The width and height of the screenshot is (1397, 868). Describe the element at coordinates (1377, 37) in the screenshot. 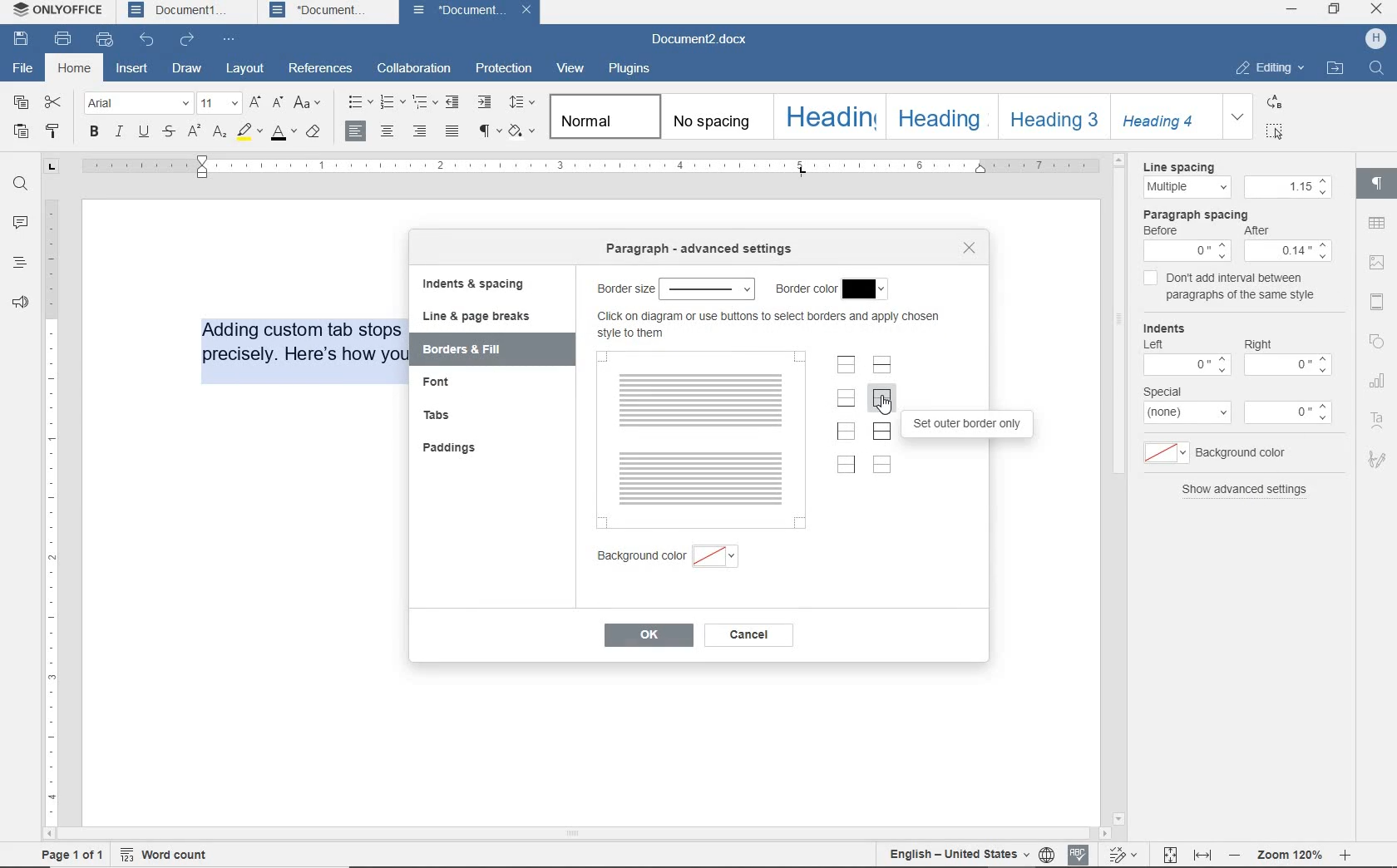

I see `profile` at that location.